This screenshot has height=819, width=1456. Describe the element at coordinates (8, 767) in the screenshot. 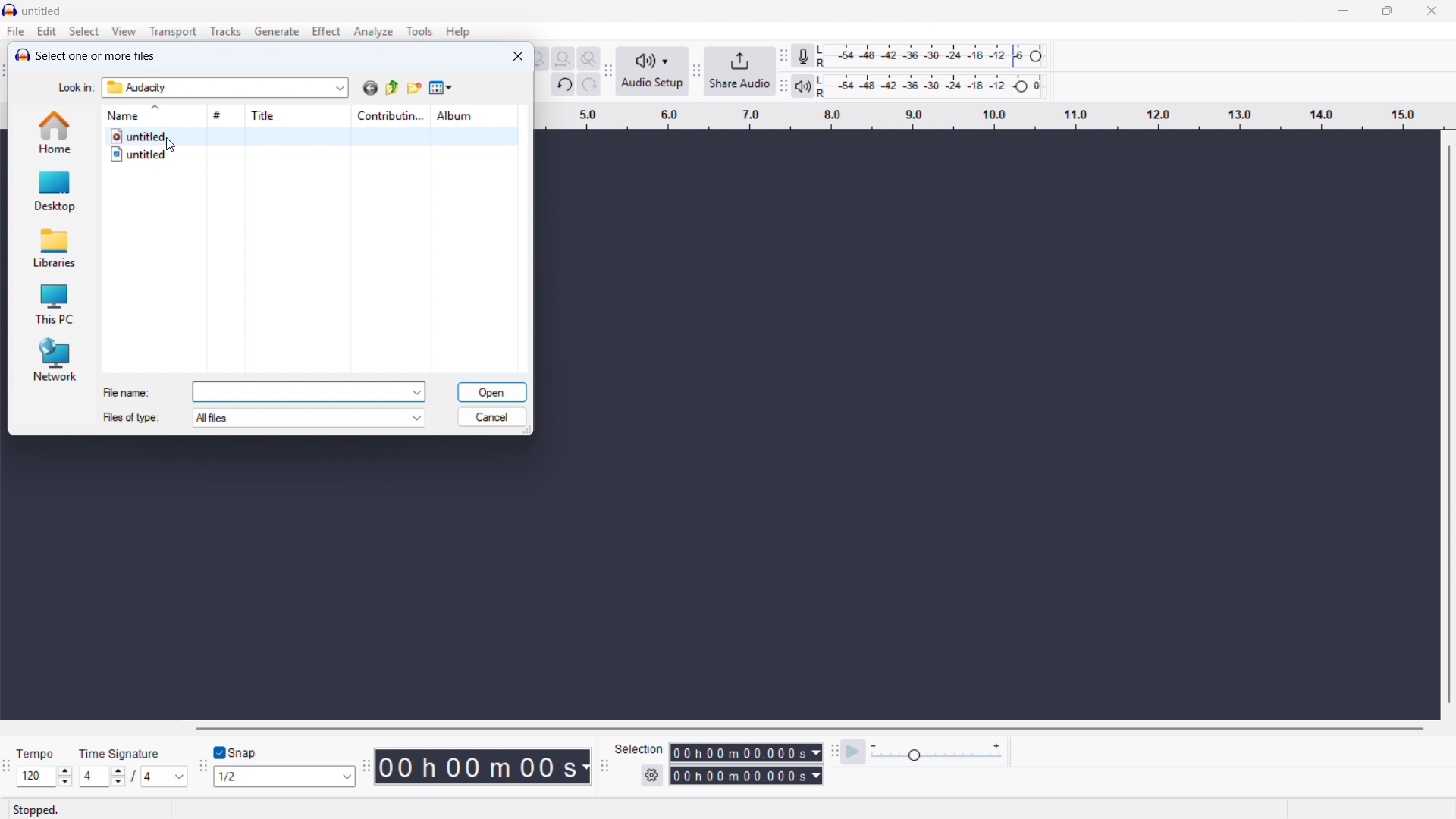

I see `Time signature toolbar ` at that location.